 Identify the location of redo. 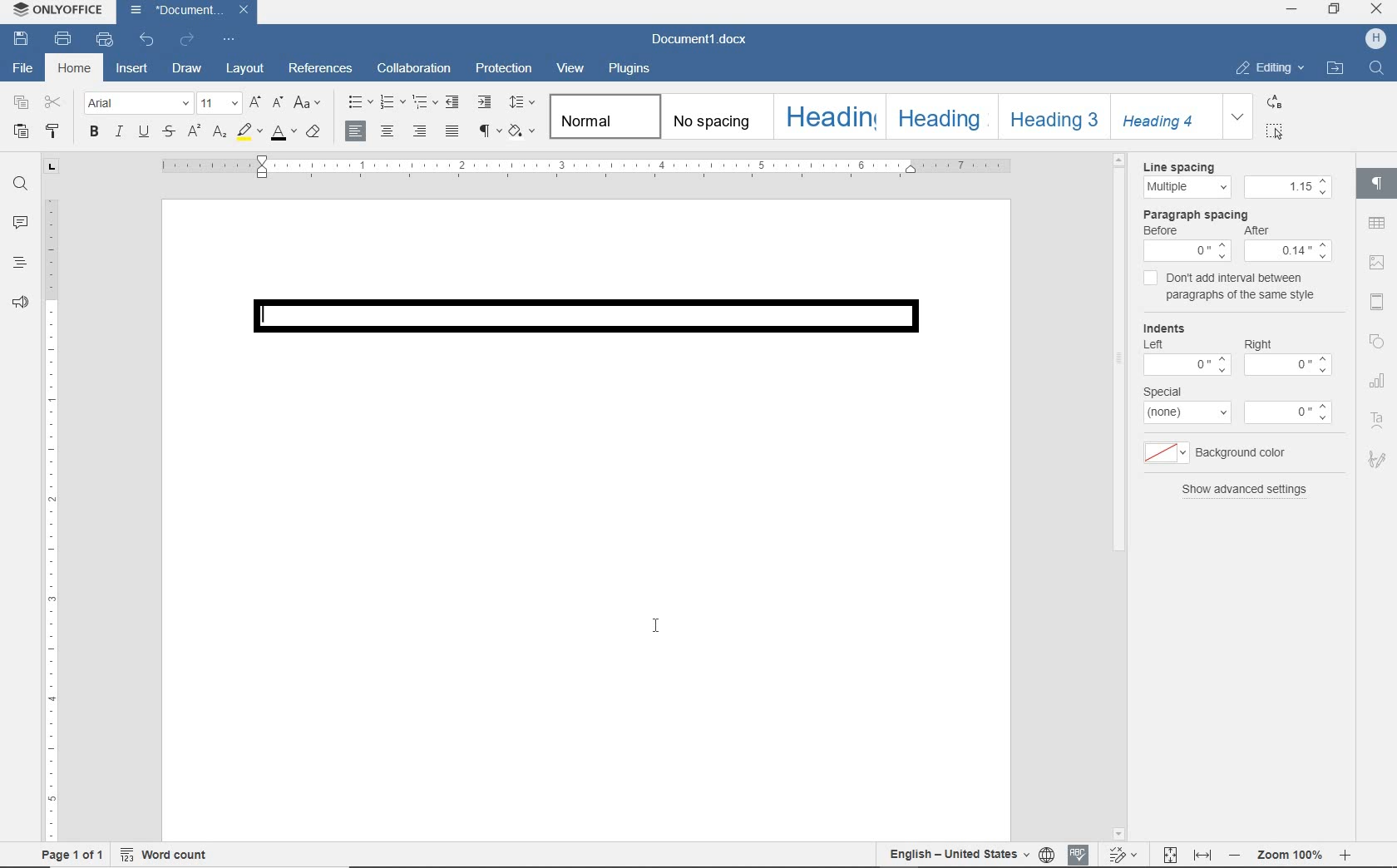
(188, 40).